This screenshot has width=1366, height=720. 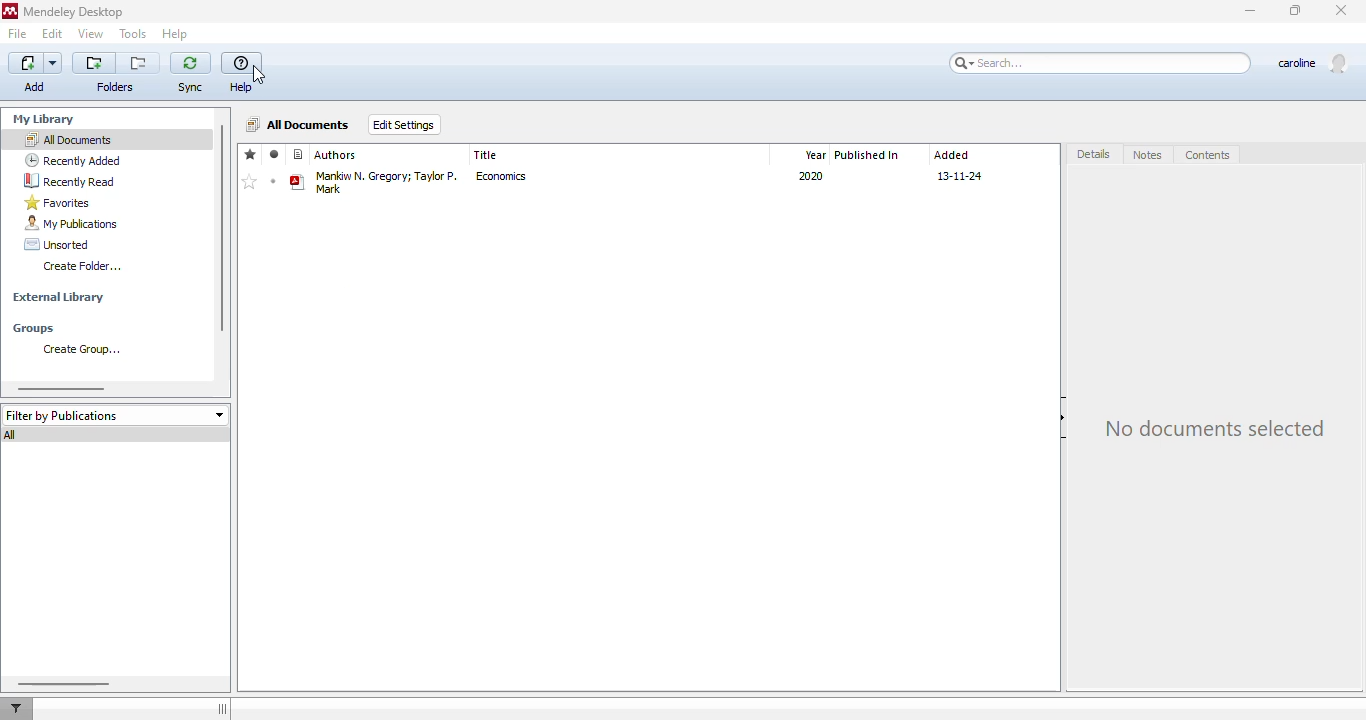 What do you see at coordinates (274, 155) in the screenshot?
I see `read/unread` at bounding box center [274, 155].